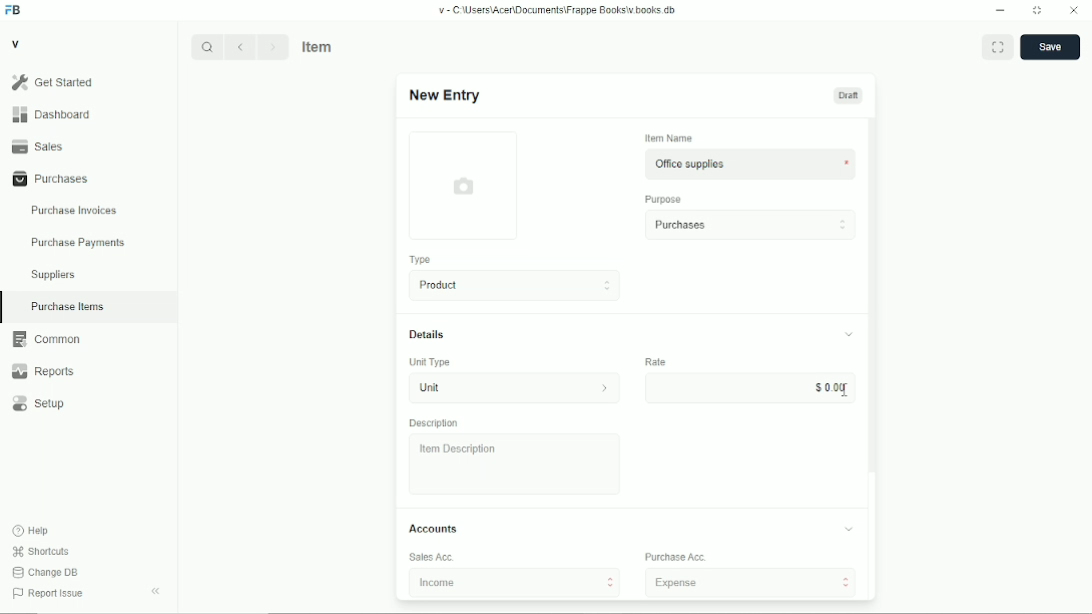 Image resolution: width=1092 pixels, height=614 pixels. Describe the element at coordinates (432, 557) in the screenshot. I see `sales acc.` at that location.